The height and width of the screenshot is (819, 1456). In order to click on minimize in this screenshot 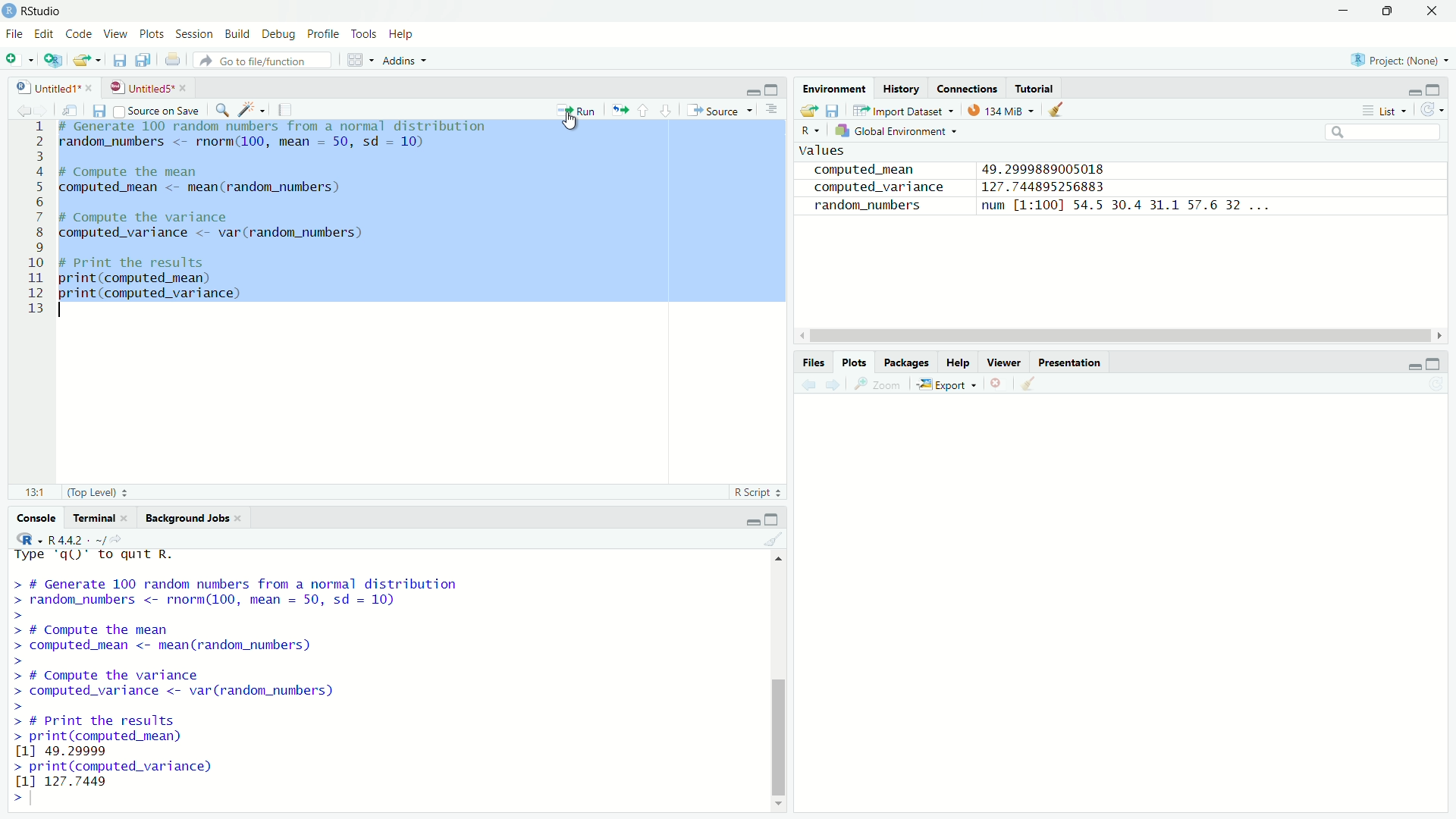, I will do `click(1413, 366)`.